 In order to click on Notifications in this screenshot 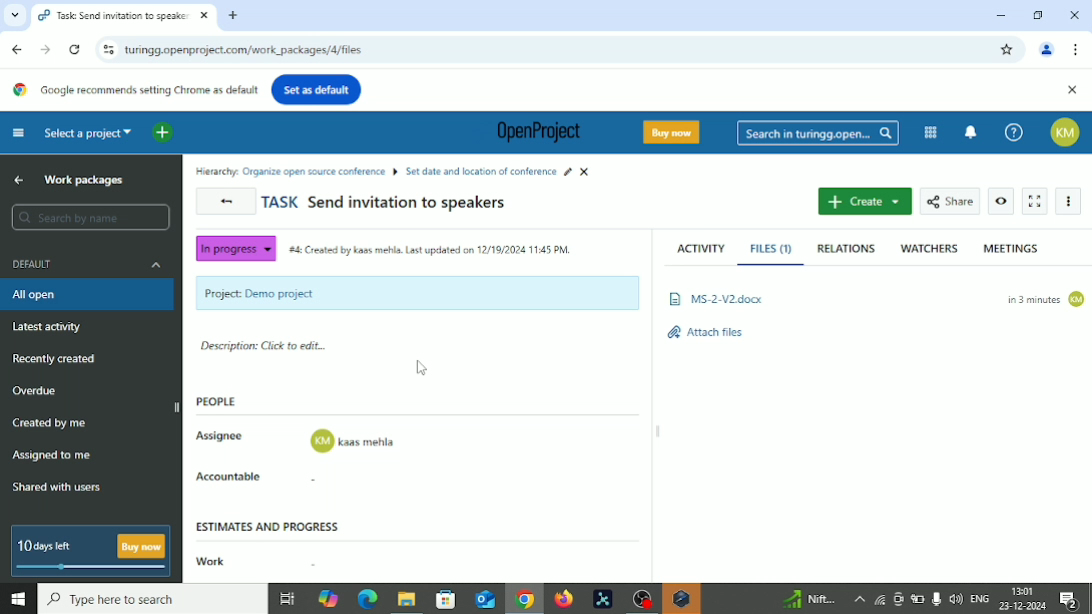, I will do `click(1075, 600)`.